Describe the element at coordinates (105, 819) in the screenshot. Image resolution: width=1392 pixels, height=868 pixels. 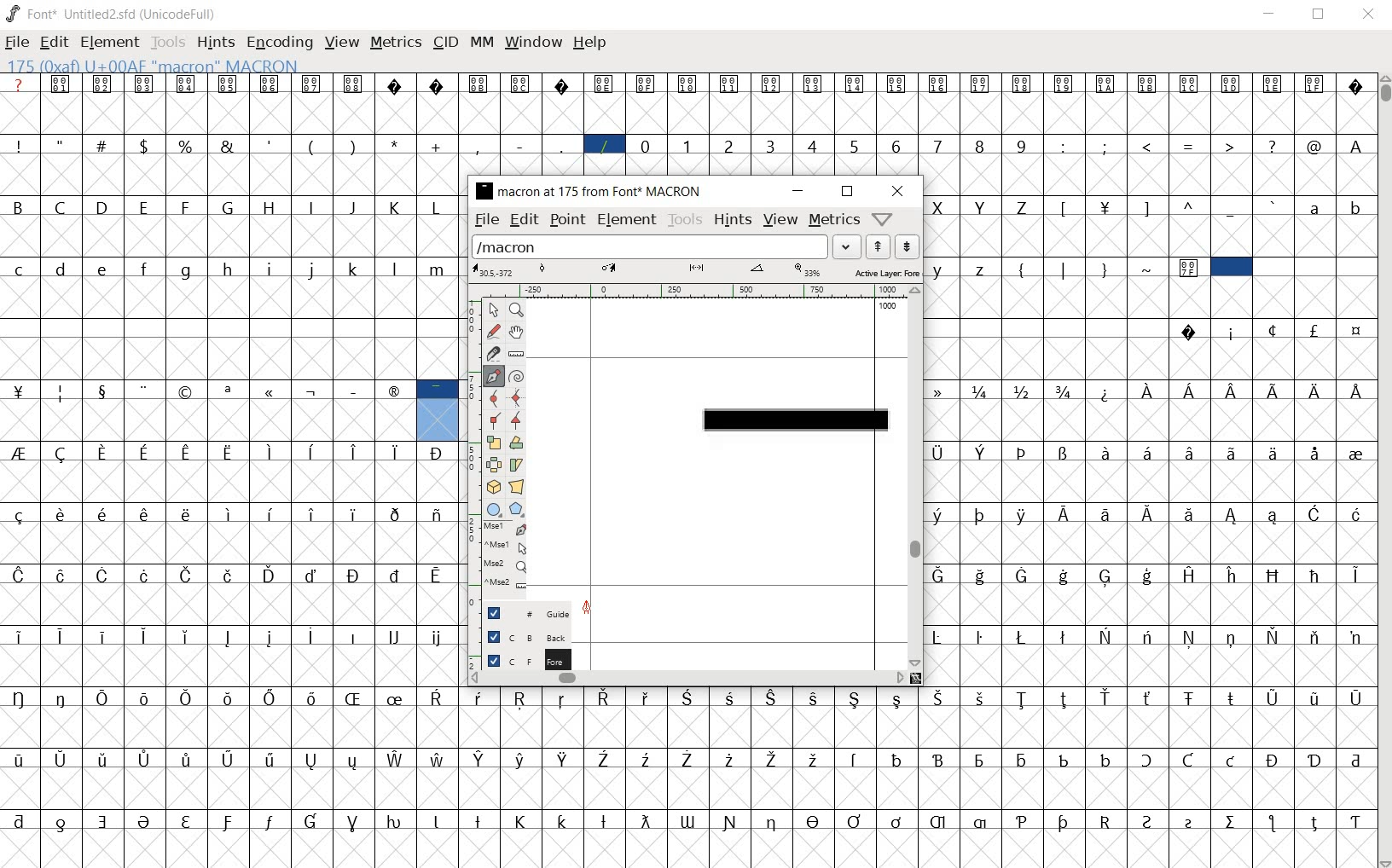
I see `Symbol` at that location.